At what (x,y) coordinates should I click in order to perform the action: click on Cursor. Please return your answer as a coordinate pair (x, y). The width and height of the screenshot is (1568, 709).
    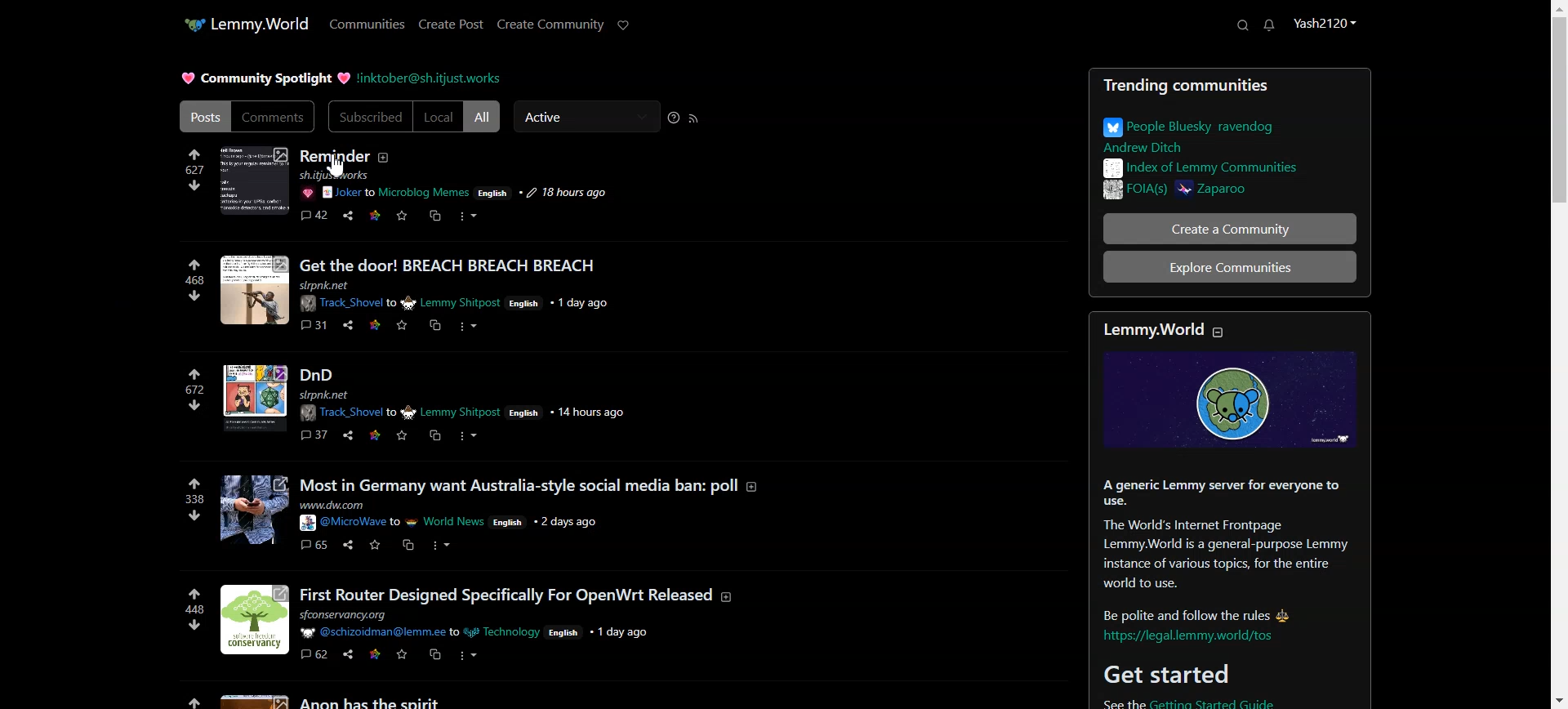
    Looking at the image, I should click on (337, 165).